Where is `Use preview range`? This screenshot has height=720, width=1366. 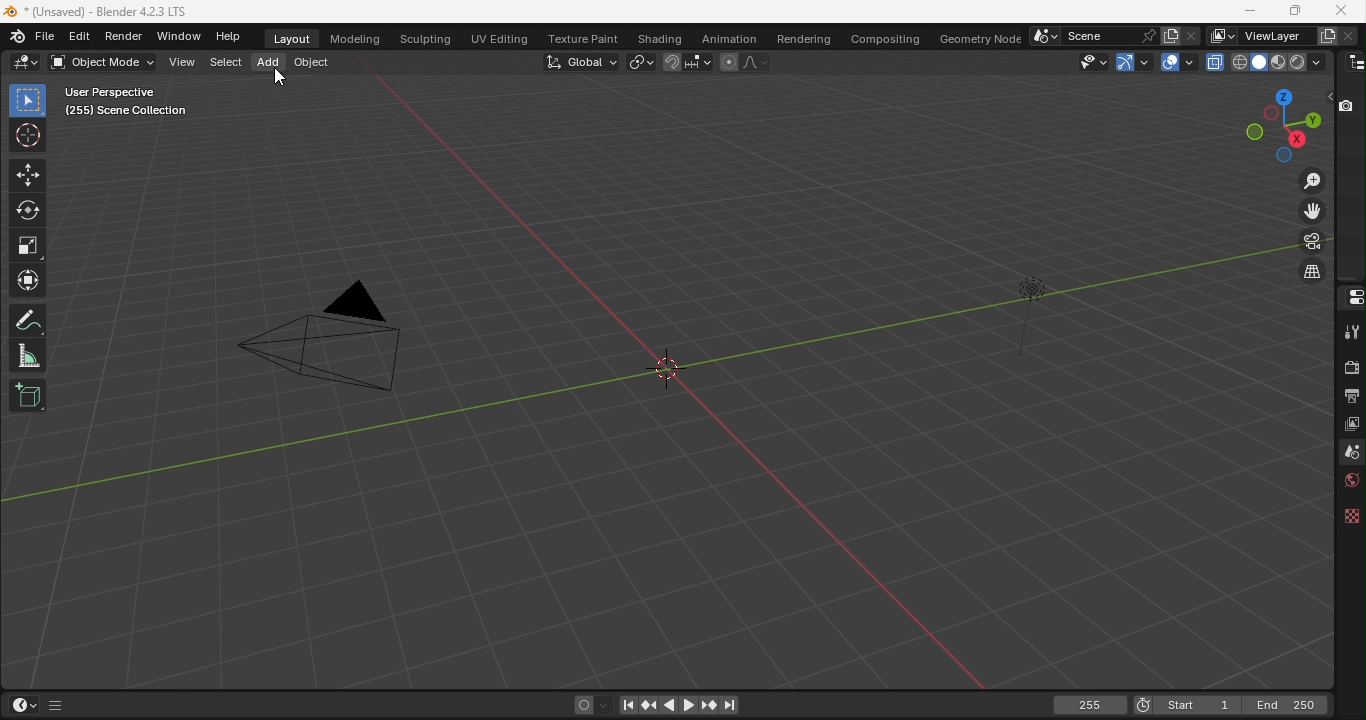
Use preview range is located at coordinates (1143, 703).